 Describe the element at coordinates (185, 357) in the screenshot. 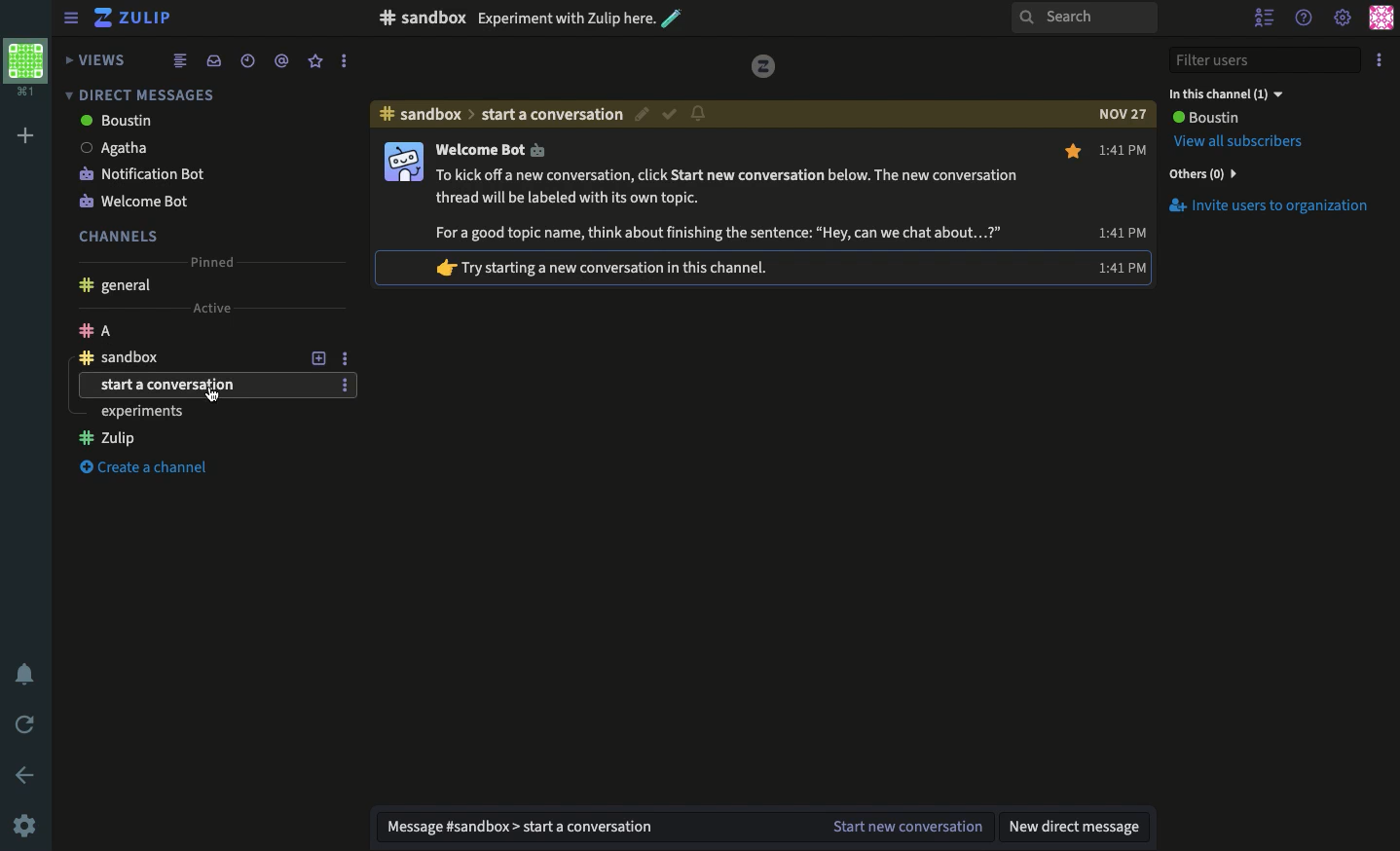

I see `Chanel sandbox` at that location.